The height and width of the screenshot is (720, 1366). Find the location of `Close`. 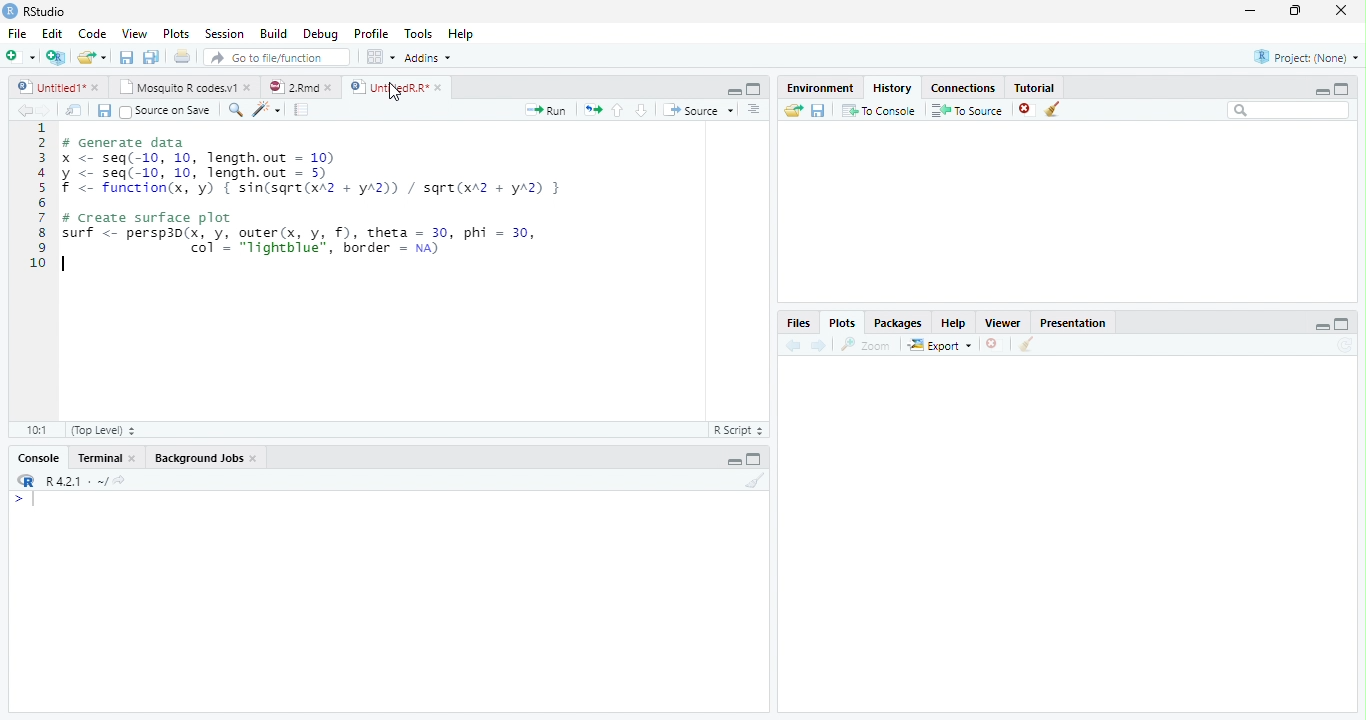

Close is located at coordinates (133, 458).